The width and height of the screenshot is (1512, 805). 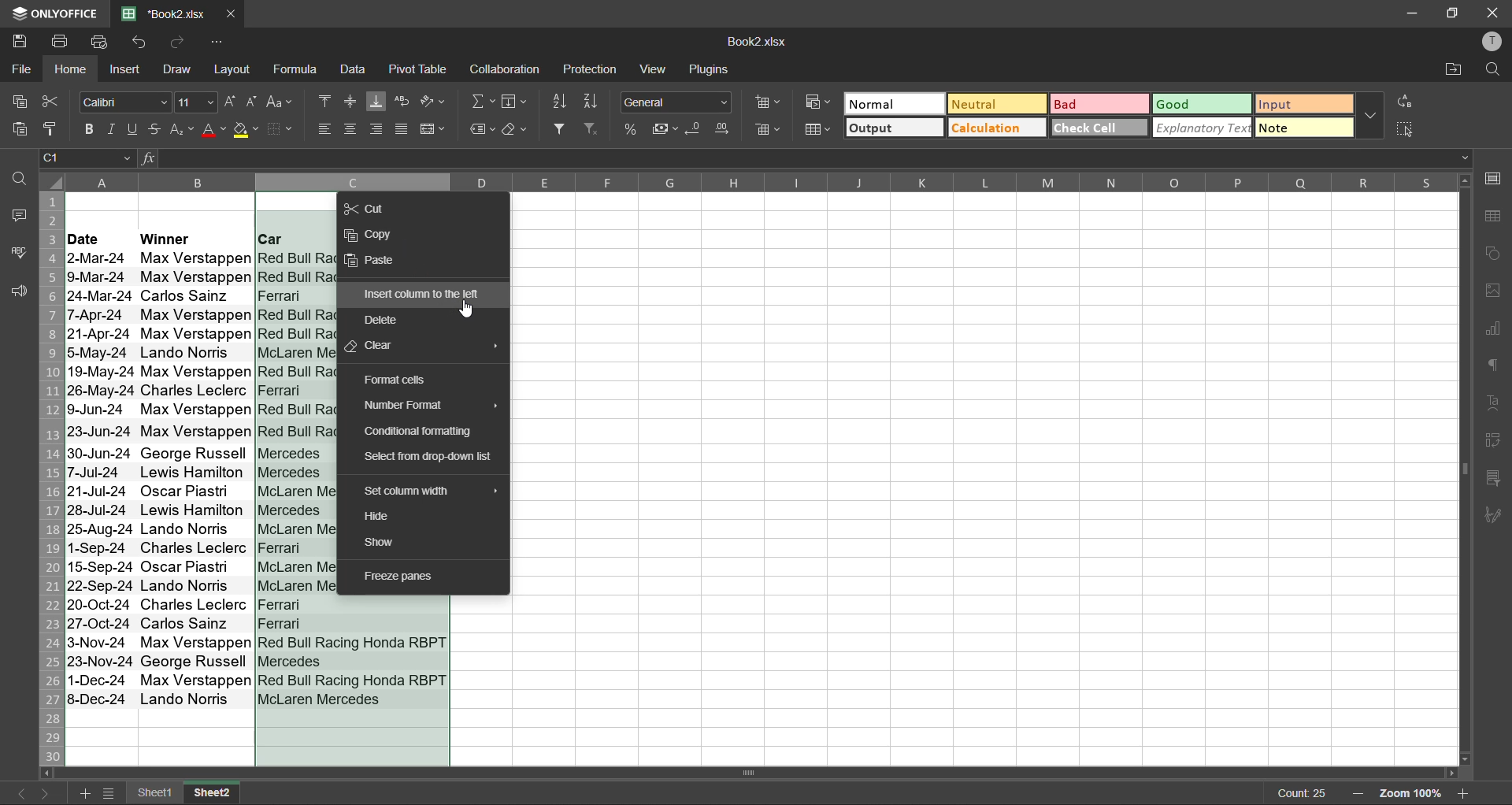 I want to click on sheet2, so click(x=211, y=793).